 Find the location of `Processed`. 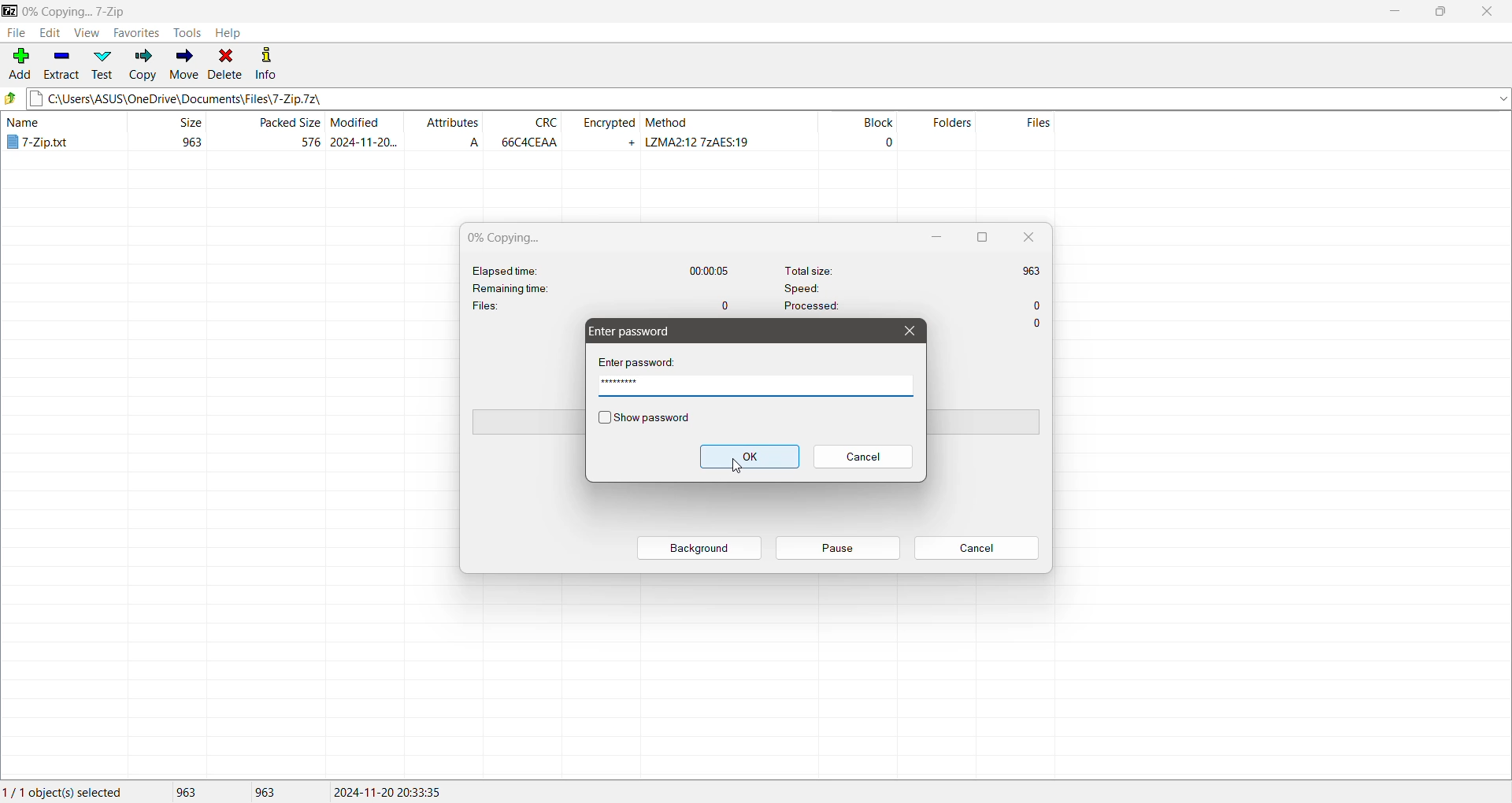

Processed is located at coordinates (913, 309).